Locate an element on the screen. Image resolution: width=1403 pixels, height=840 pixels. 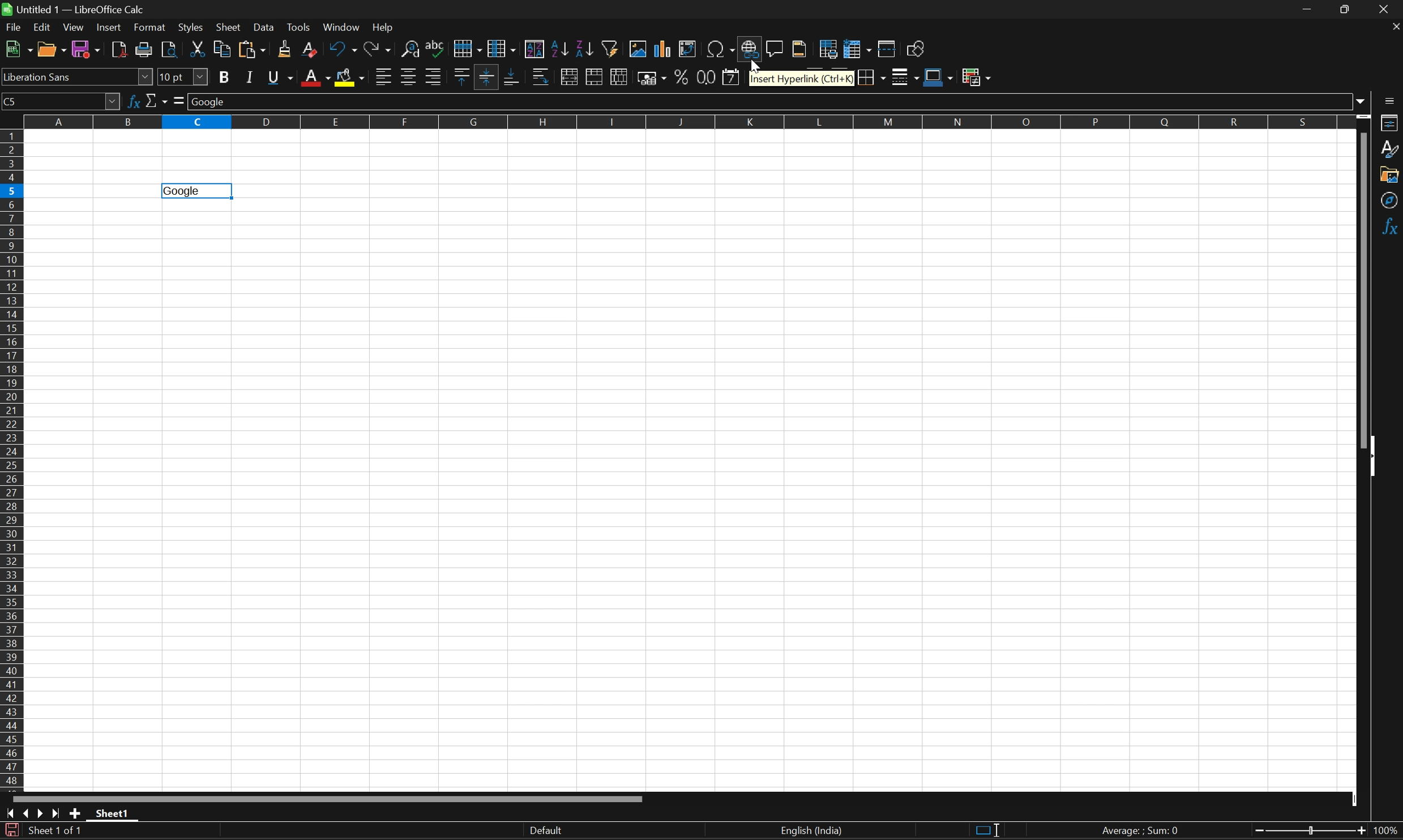
Wrap text is located at coordinates (542, 77).